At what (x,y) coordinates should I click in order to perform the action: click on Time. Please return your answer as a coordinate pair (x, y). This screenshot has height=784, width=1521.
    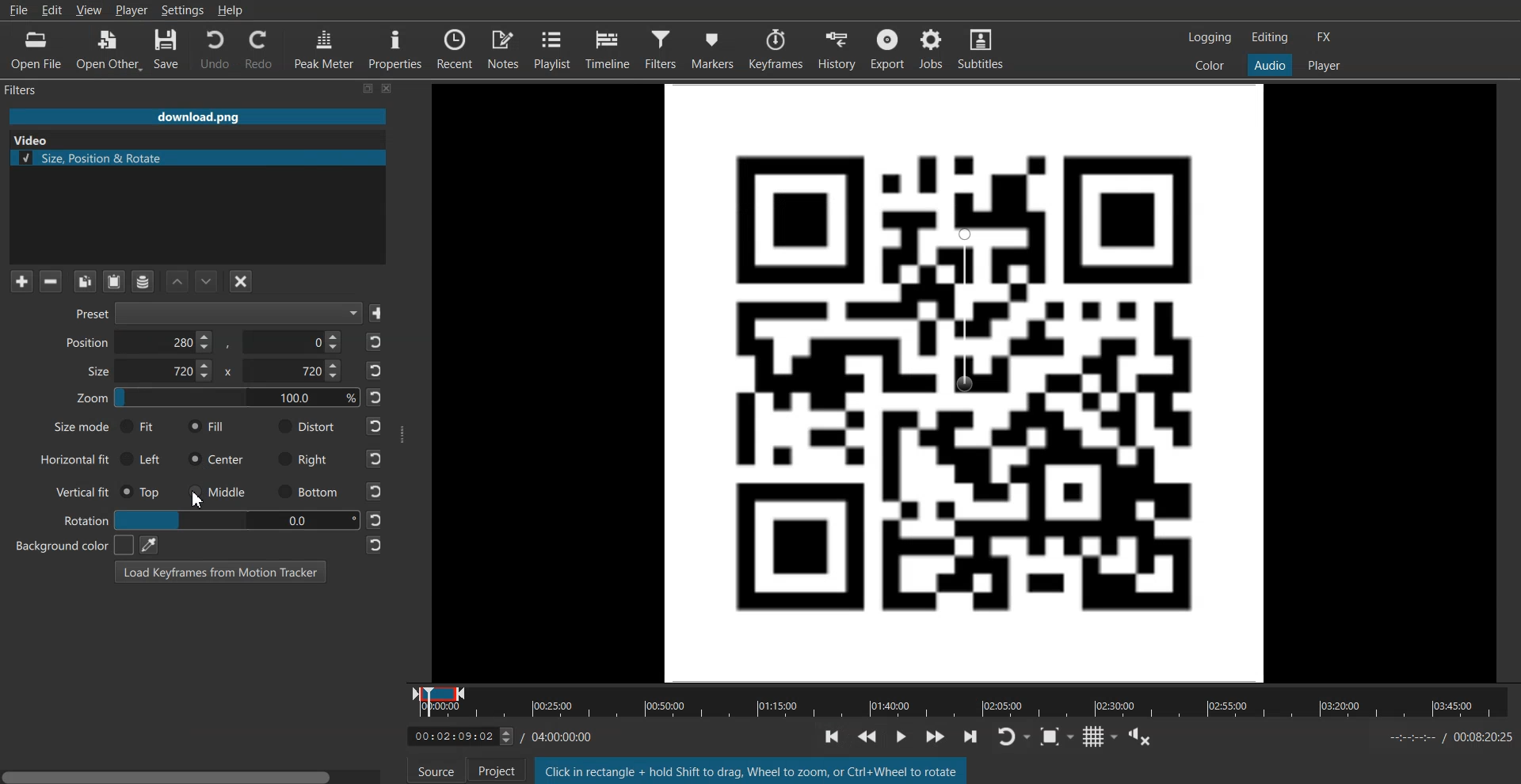
    Looking at the image, I should click on (563, 735).